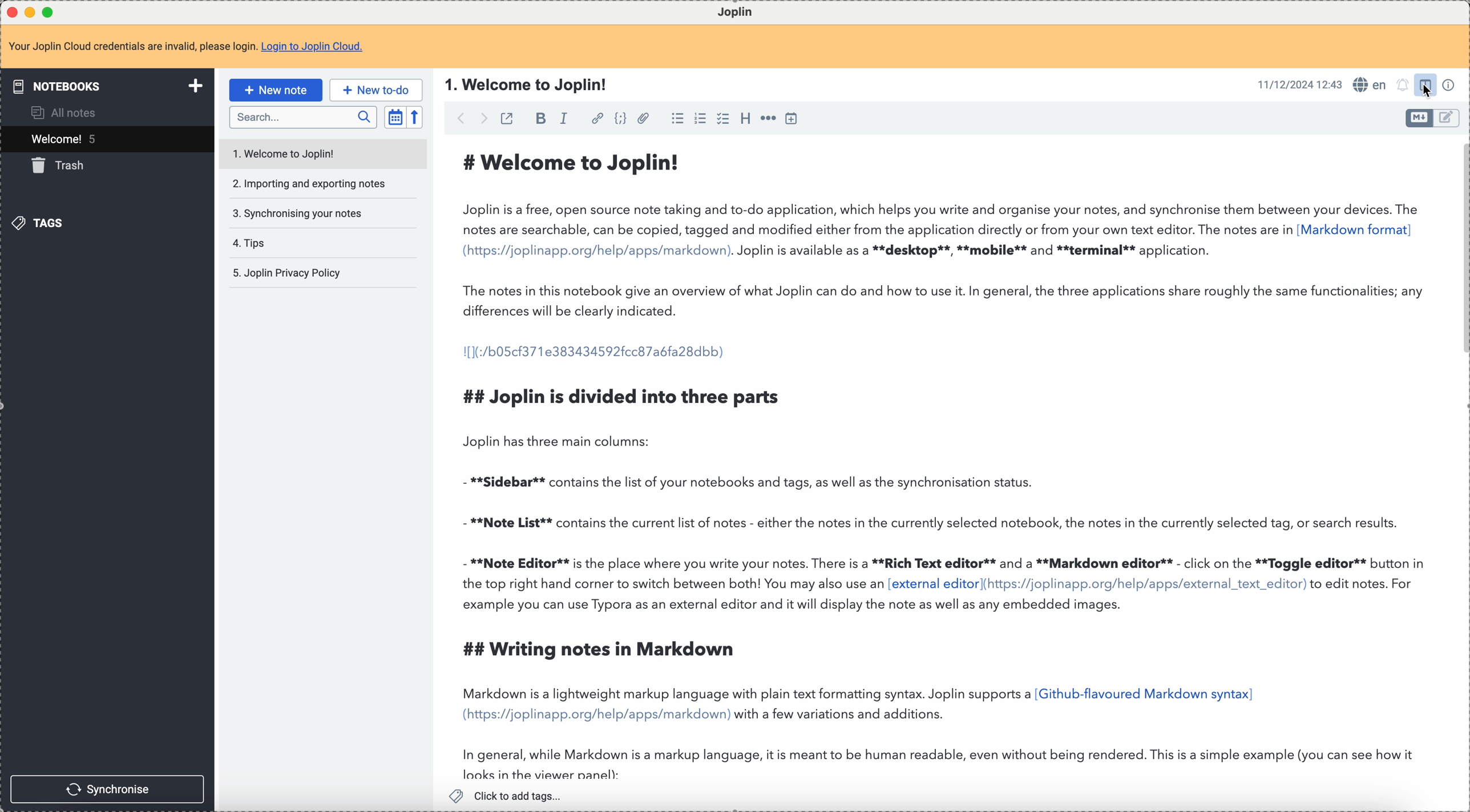  I want to click on trash, so click(58, 168).